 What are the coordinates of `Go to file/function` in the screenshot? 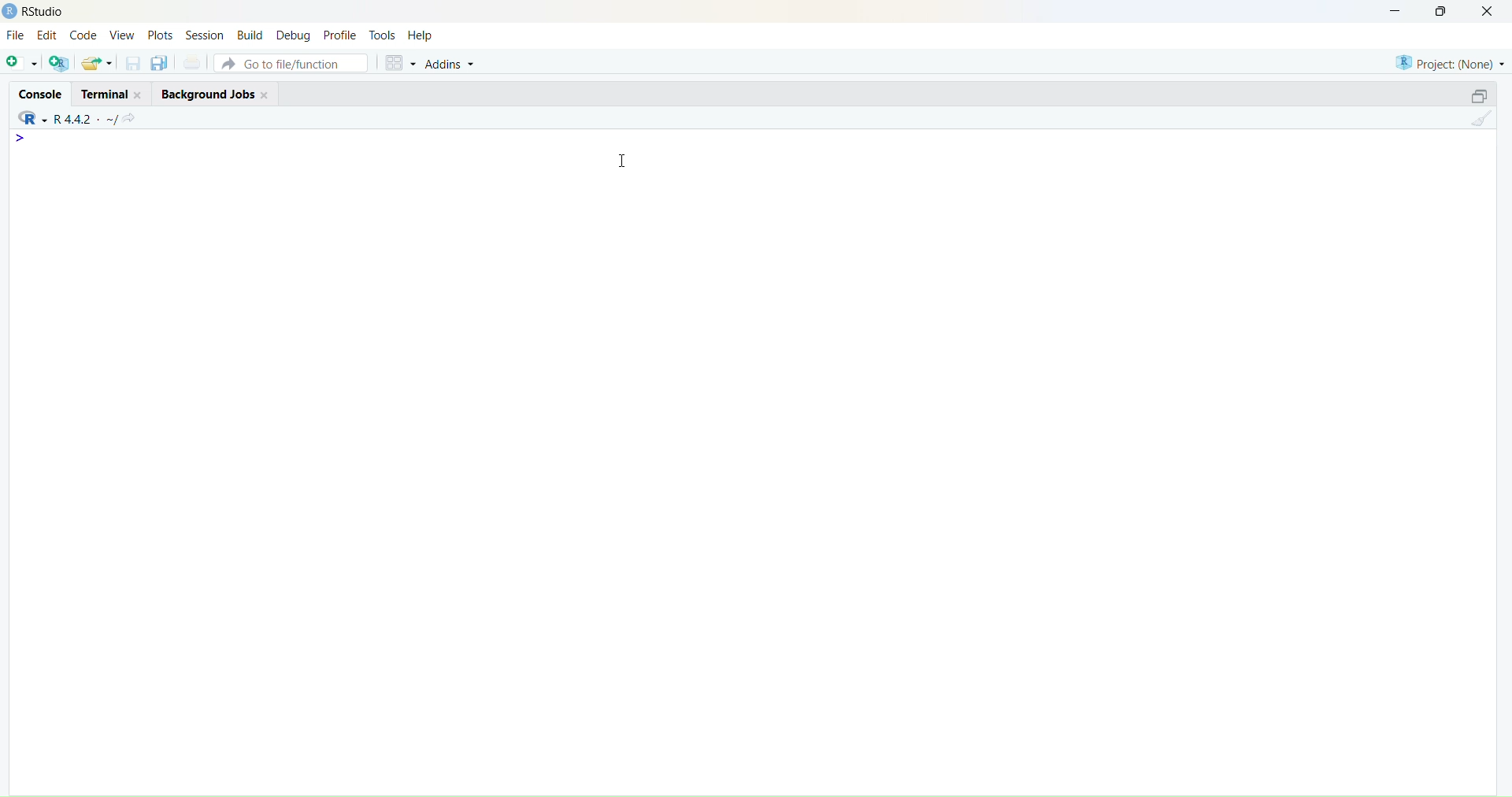 It's located at (293, 62).